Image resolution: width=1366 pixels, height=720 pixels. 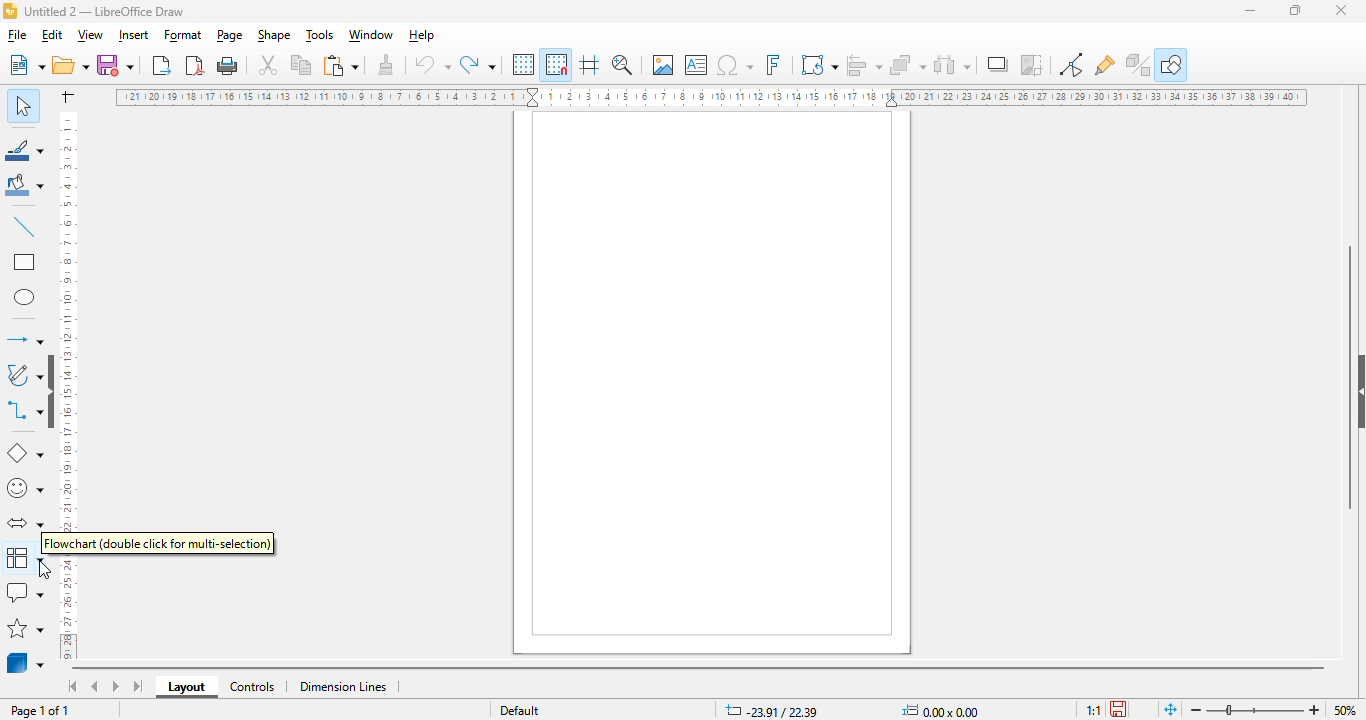 I want to click on title, so click(x=106, y=11).